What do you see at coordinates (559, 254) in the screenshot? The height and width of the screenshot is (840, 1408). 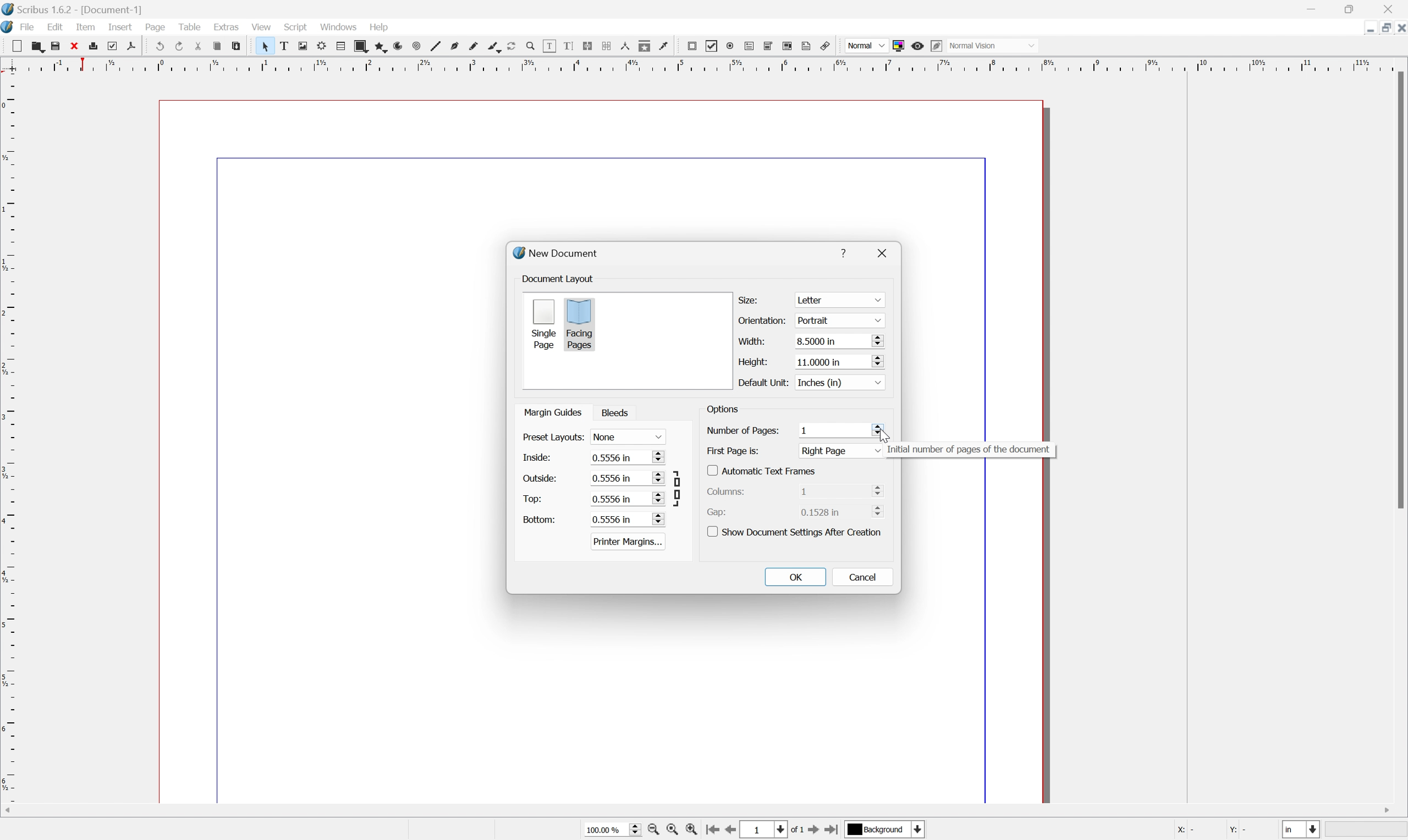 I see `new document` at bounding box center [559, 254].